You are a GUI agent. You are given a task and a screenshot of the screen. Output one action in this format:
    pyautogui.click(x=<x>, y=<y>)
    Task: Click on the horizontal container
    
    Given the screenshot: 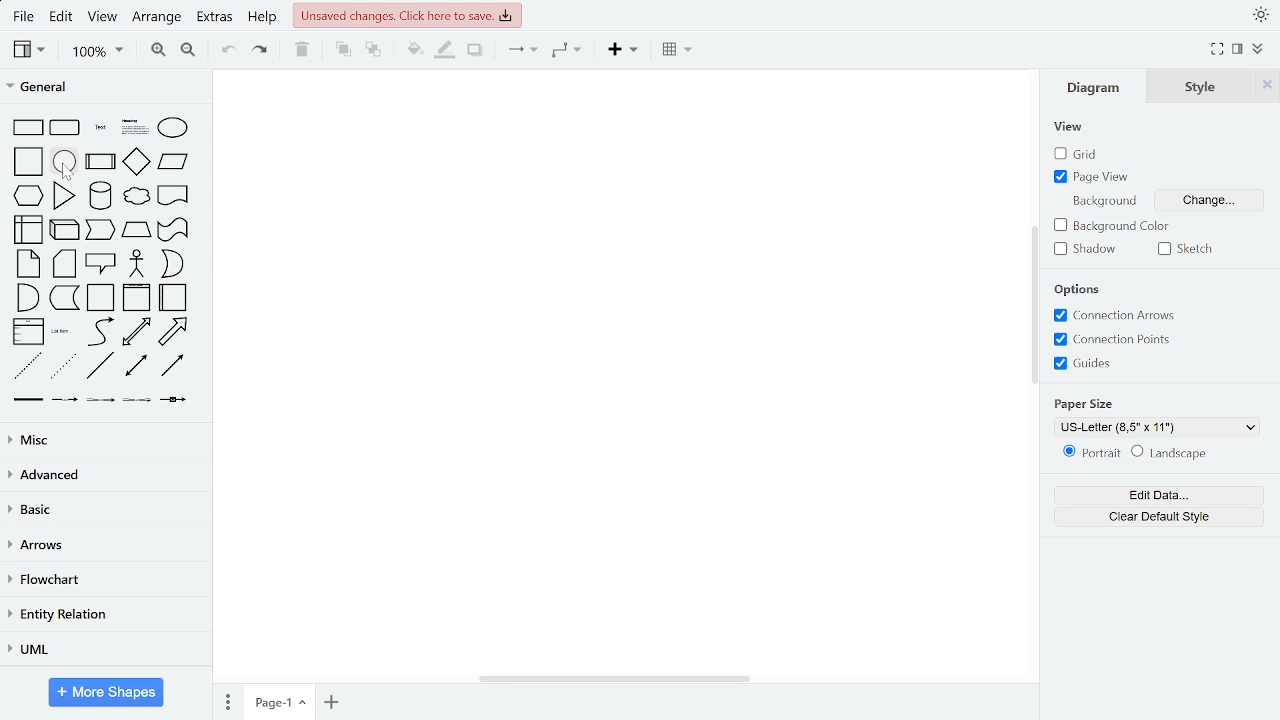 What is the action you would take?
    pyautogui.click(x=174, y=297)
    